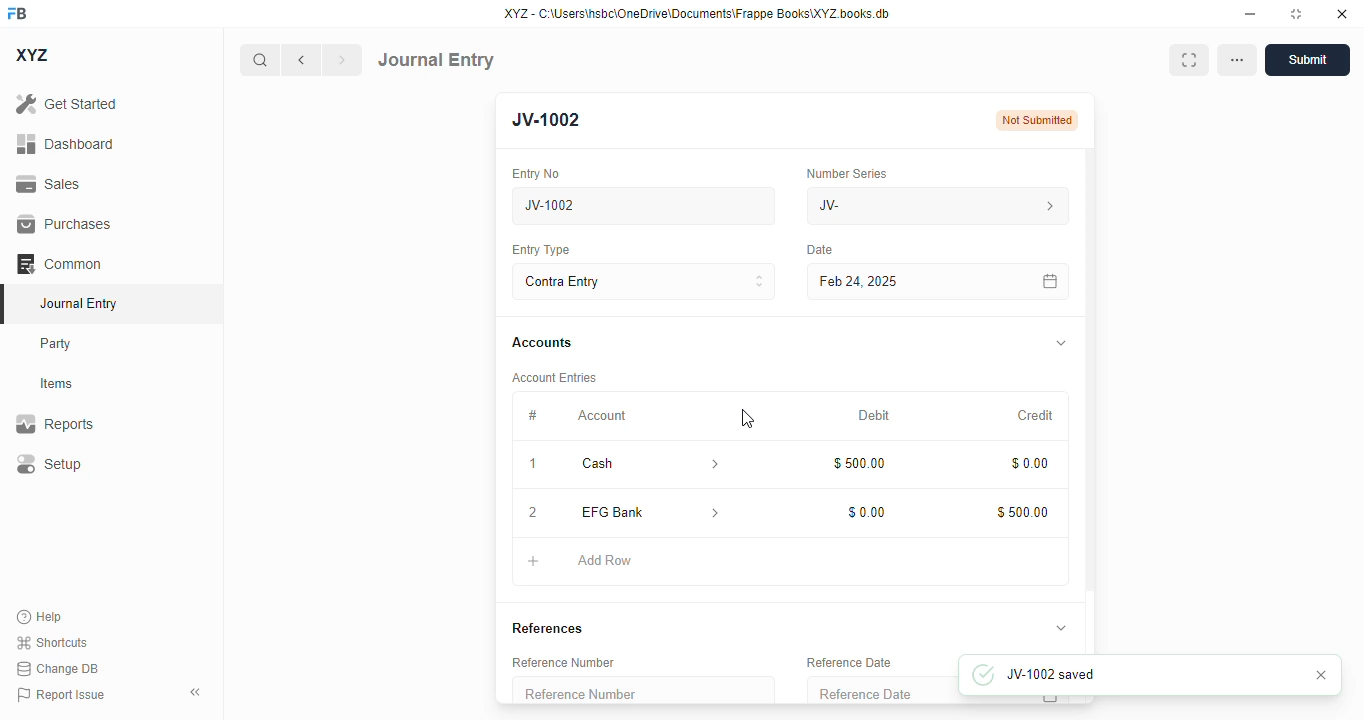 Image resolution: width=1364 pixels, height=720 pixels. What do you see at coordinates (622, 512) in the screenshot?
I see `EFG Bank` at bounding box center [622, 512].